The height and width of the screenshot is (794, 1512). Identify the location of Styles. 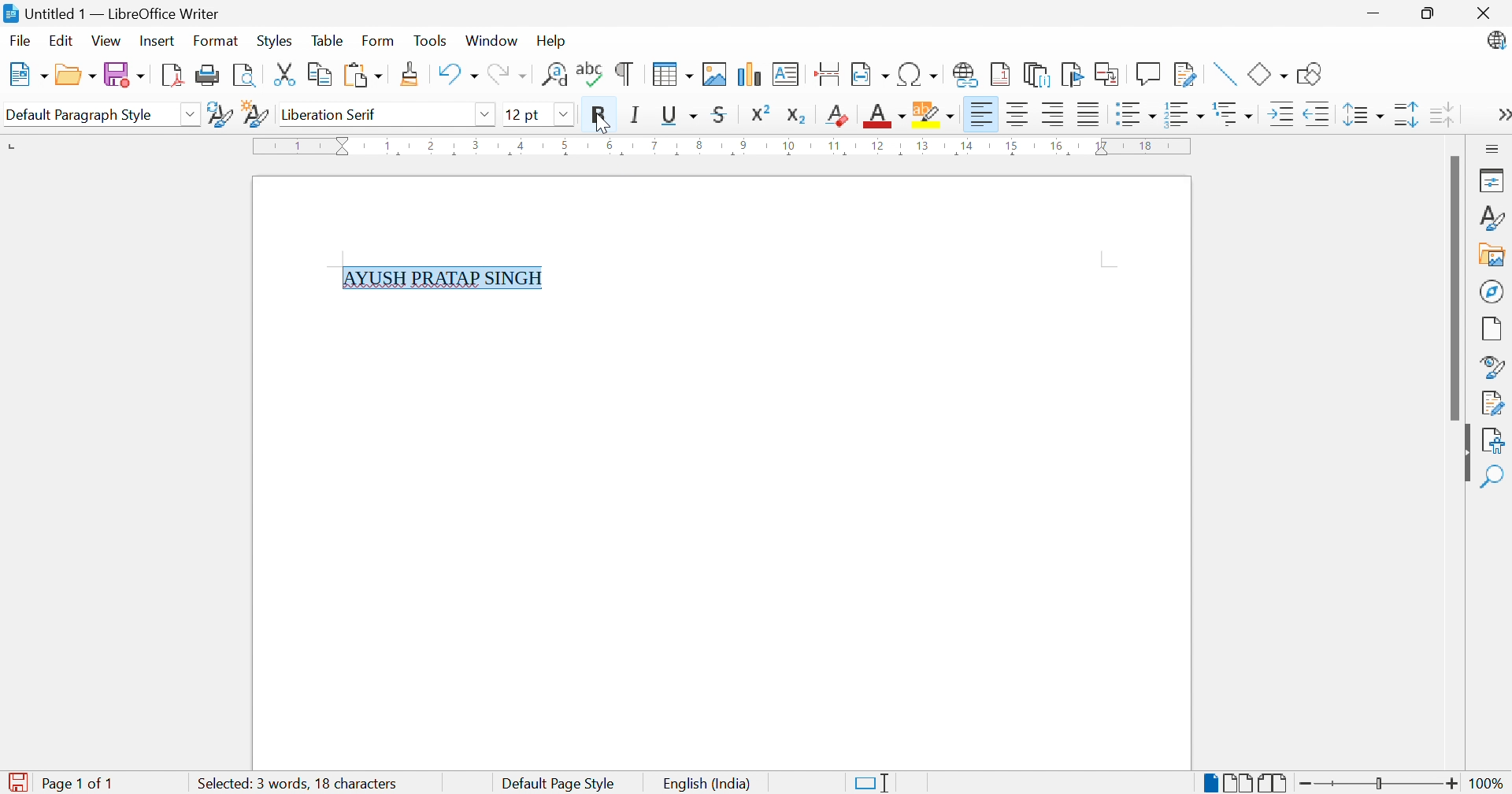
(1495, 220).